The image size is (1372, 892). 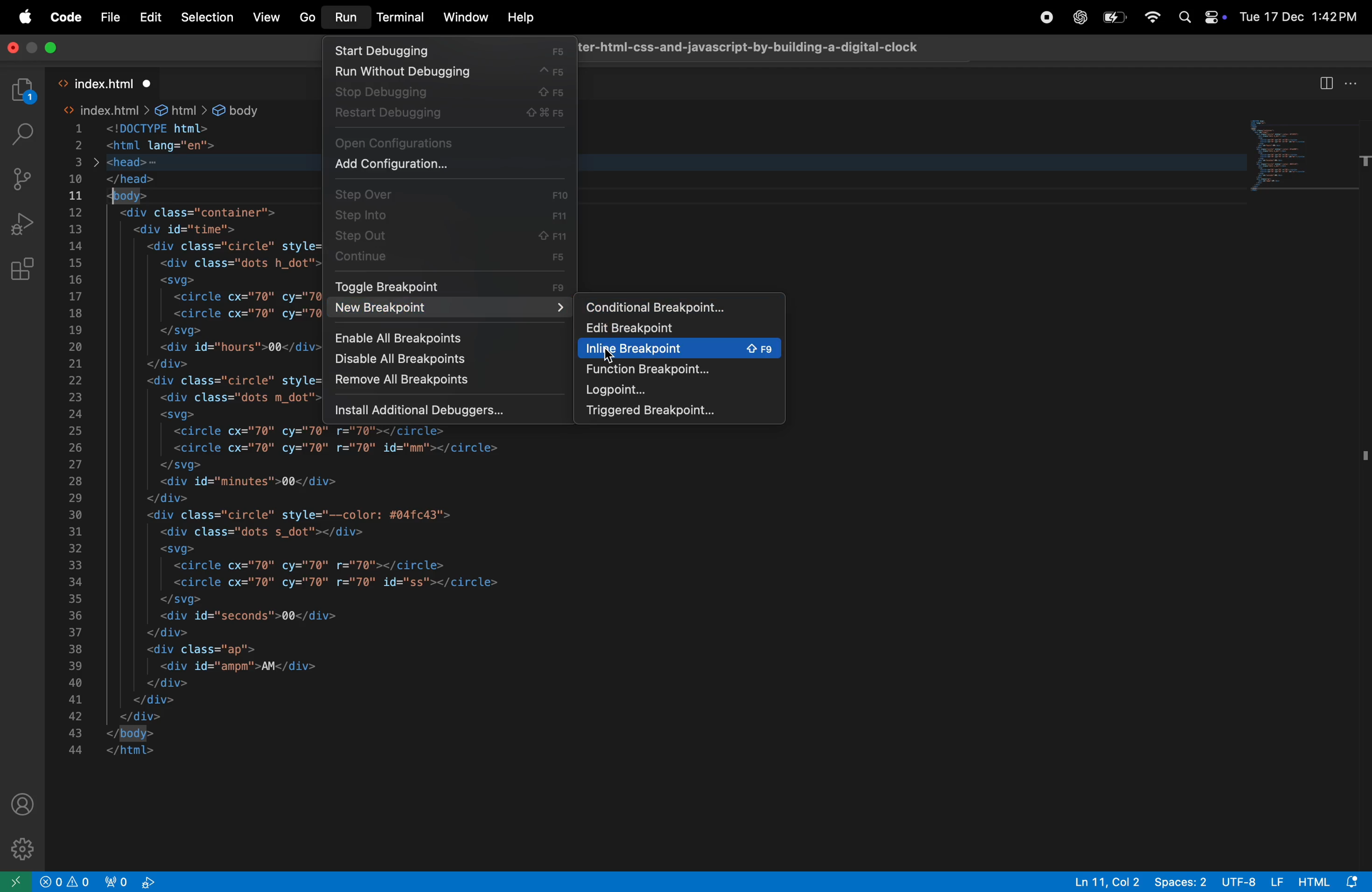 I want to click on Code, so click(x=68, y=18).